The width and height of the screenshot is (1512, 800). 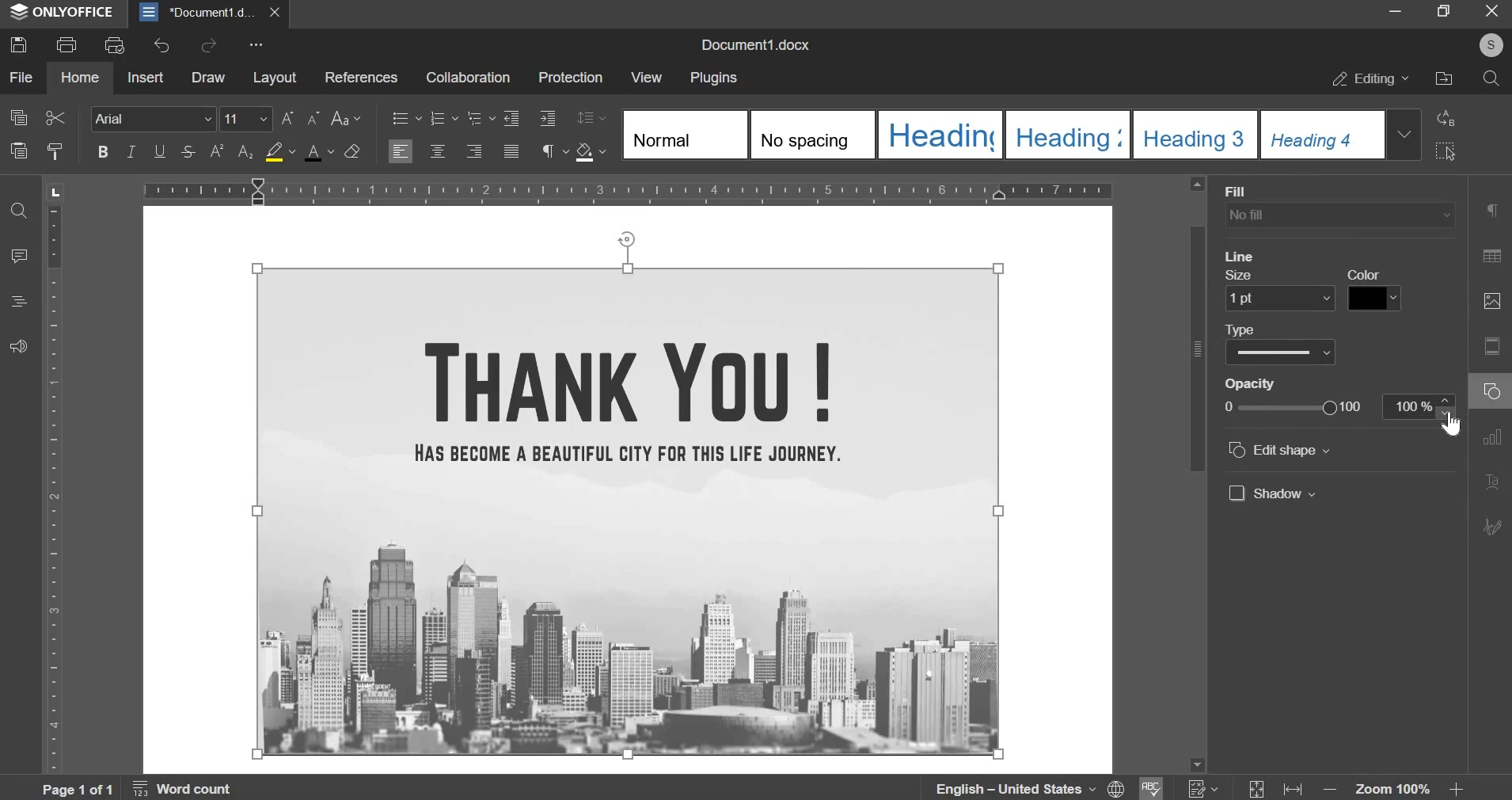 What do you see at coordinates (57, 490) in the screenshot?
I see `ruler` at bounding box center [57, 490].